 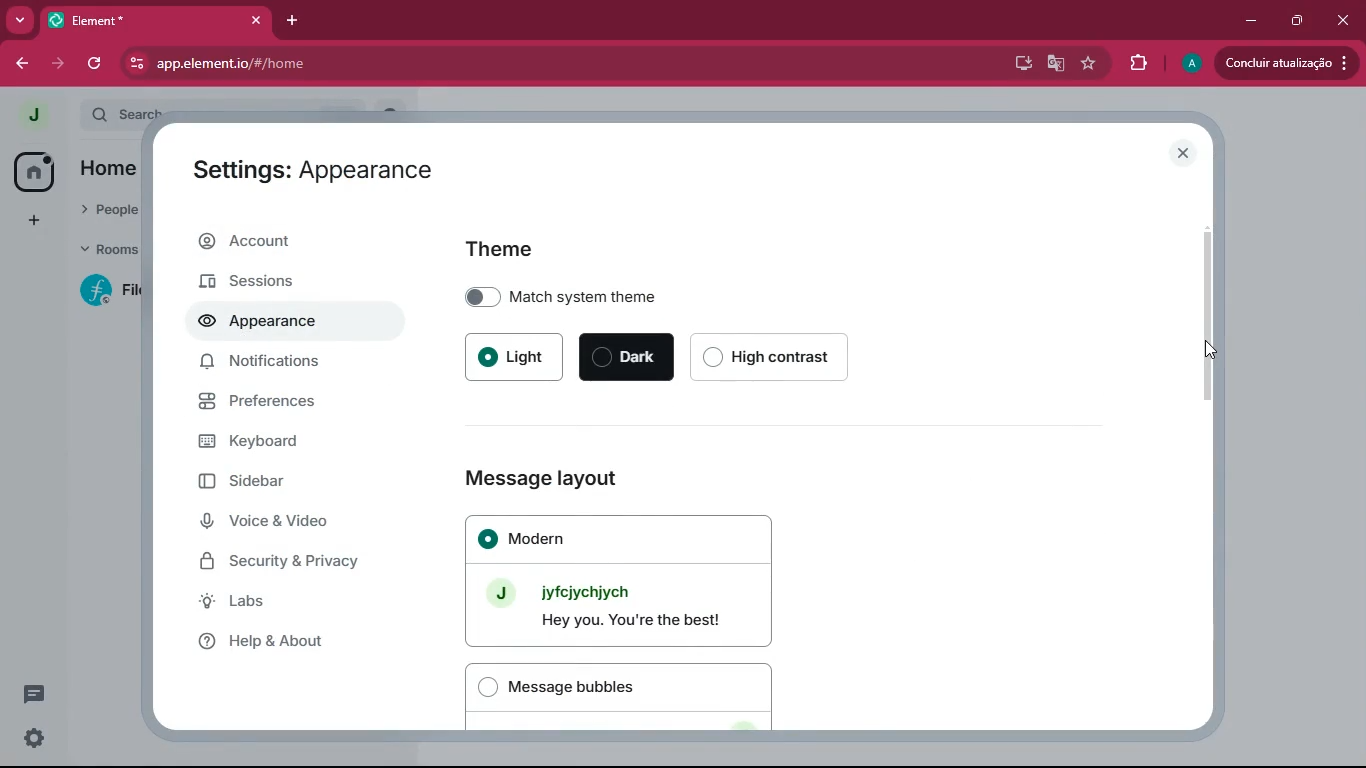 What do you see at coordinates (314, 169) in the screenshot?
I see `Settings: Appearance` at bounding box center [314, 169].